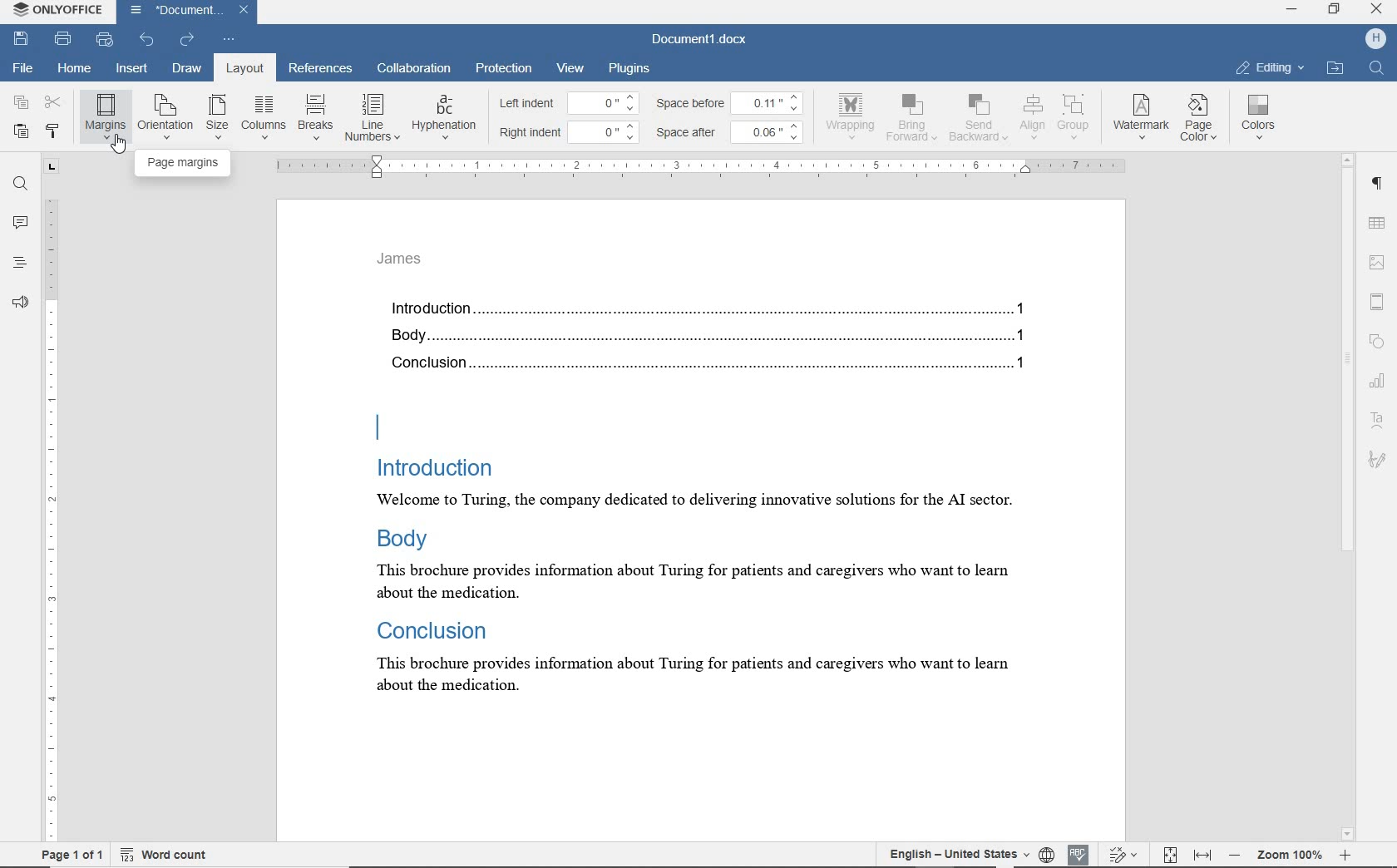  What do you see at coordinates (503, 67) in the screenshot?
I see `protection` at bounding box center [503, 67].